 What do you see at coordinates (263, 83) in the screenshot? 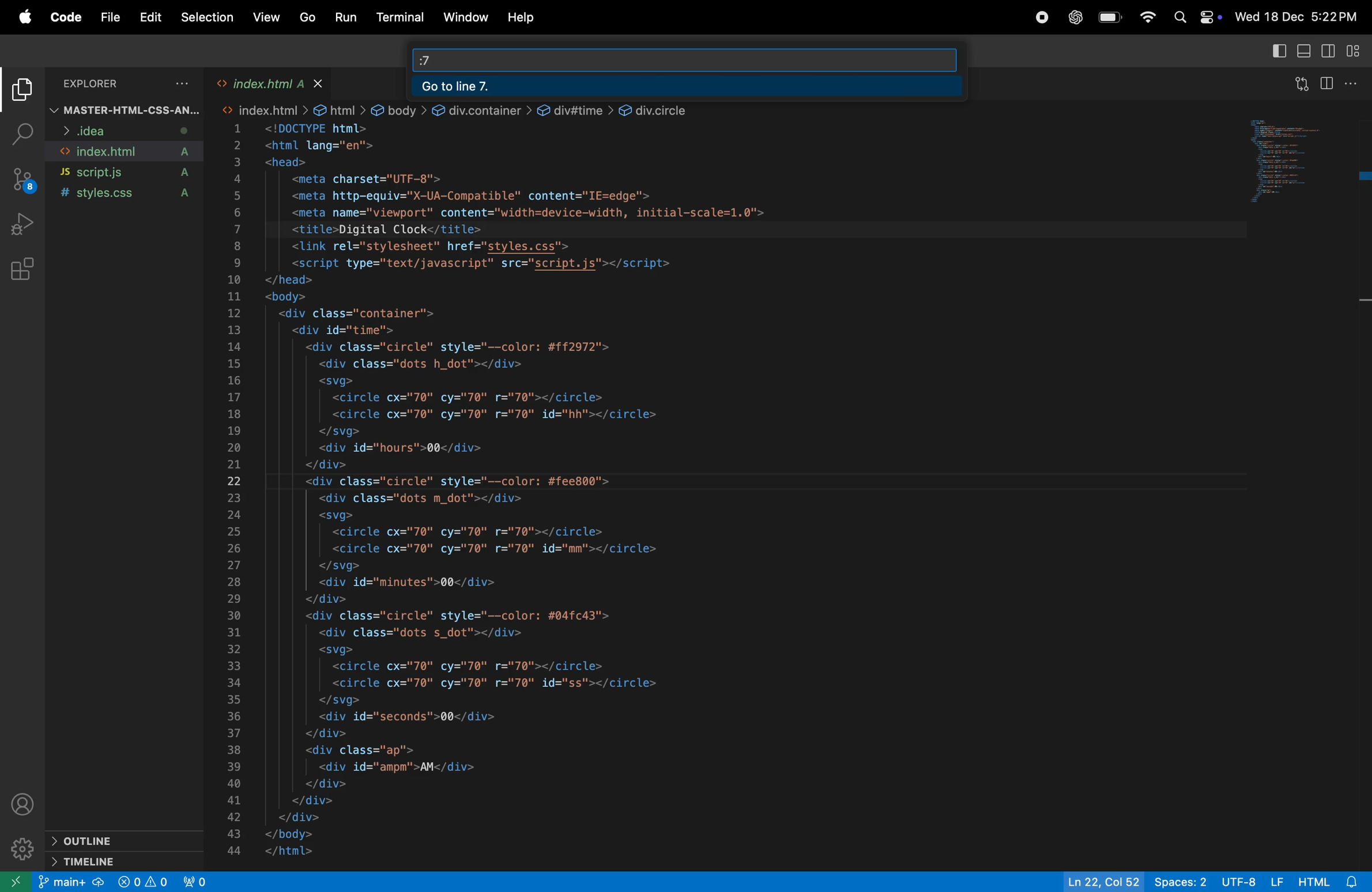
I see `index.html tab` at bounding box center [263, 83].